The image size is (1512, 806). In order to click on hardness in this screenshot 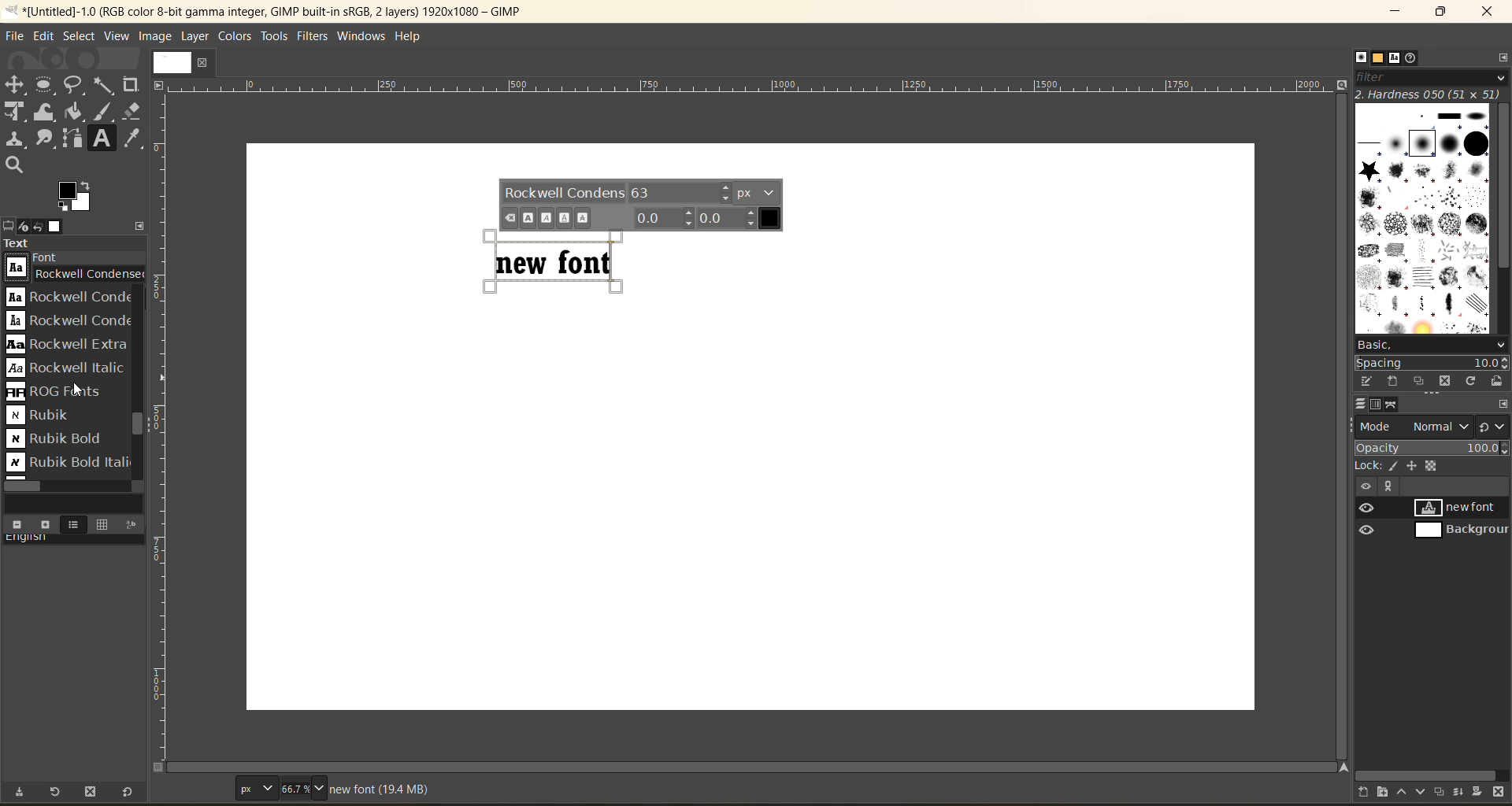, I will do `click(1430, 94)`.